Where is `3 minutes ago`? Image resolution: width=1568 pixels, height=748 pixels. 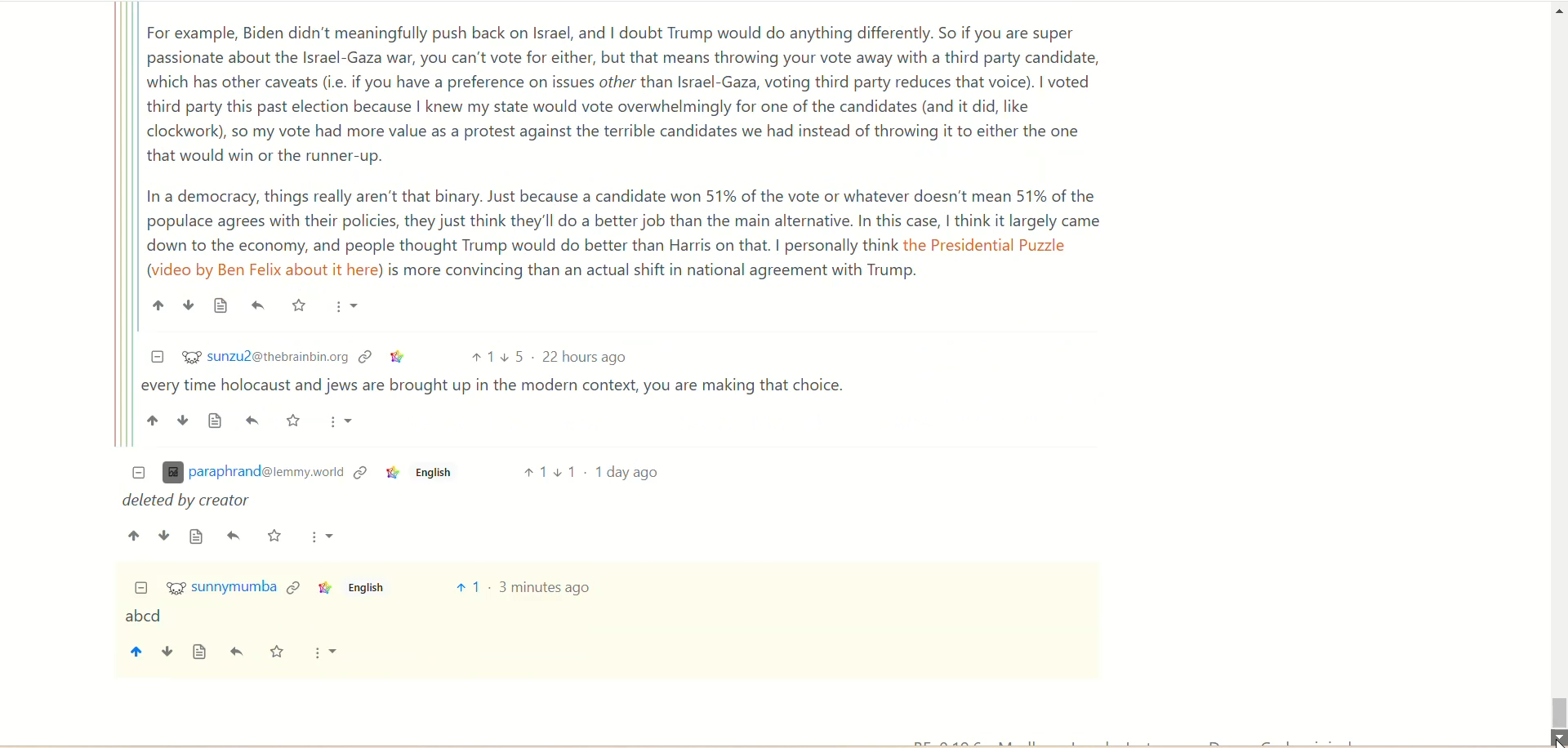 3 minutes ago is located at coordinates (547, 590).